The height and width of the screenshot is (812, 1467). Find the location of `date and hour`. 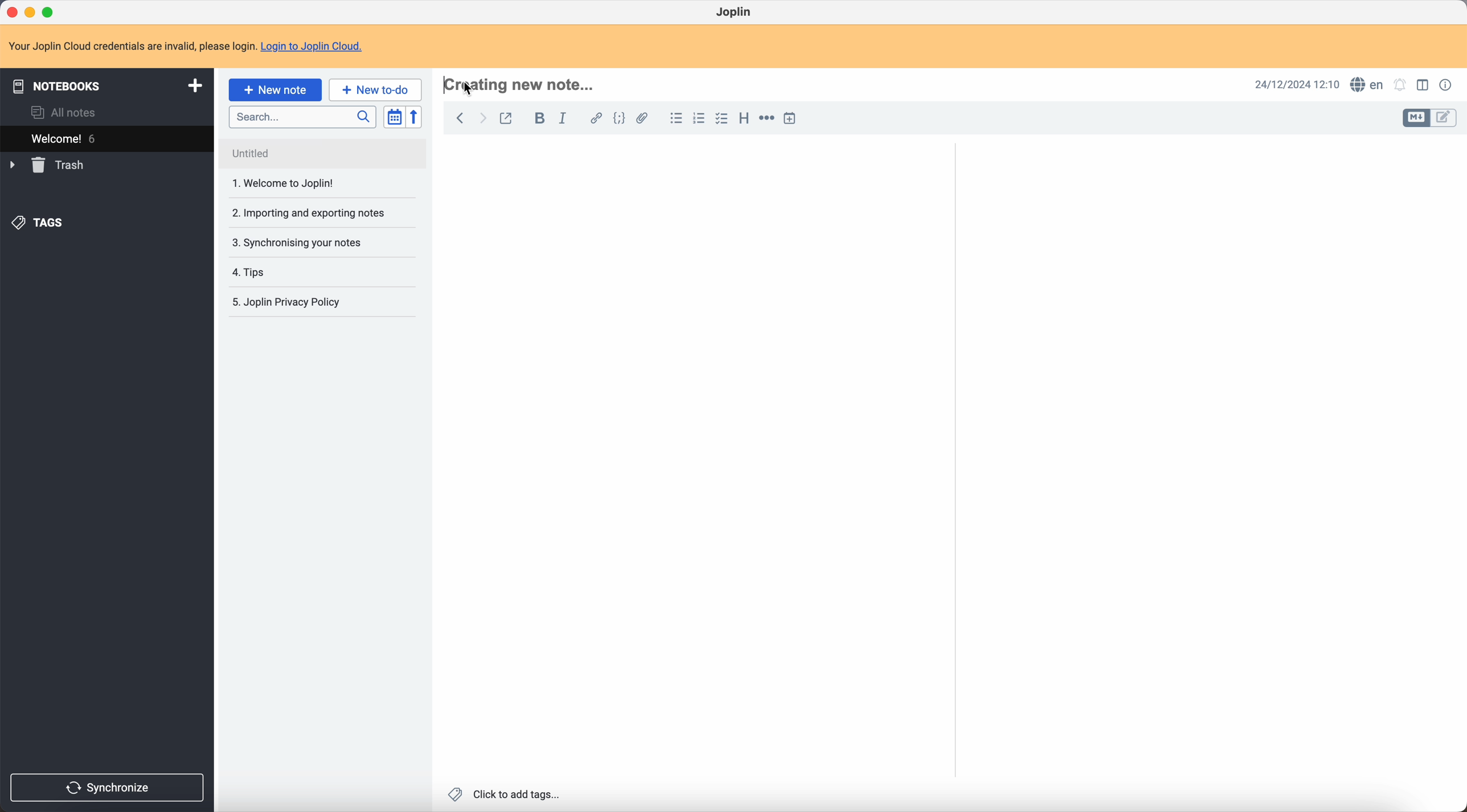

date and hour is located at coordinates (1297, 84).